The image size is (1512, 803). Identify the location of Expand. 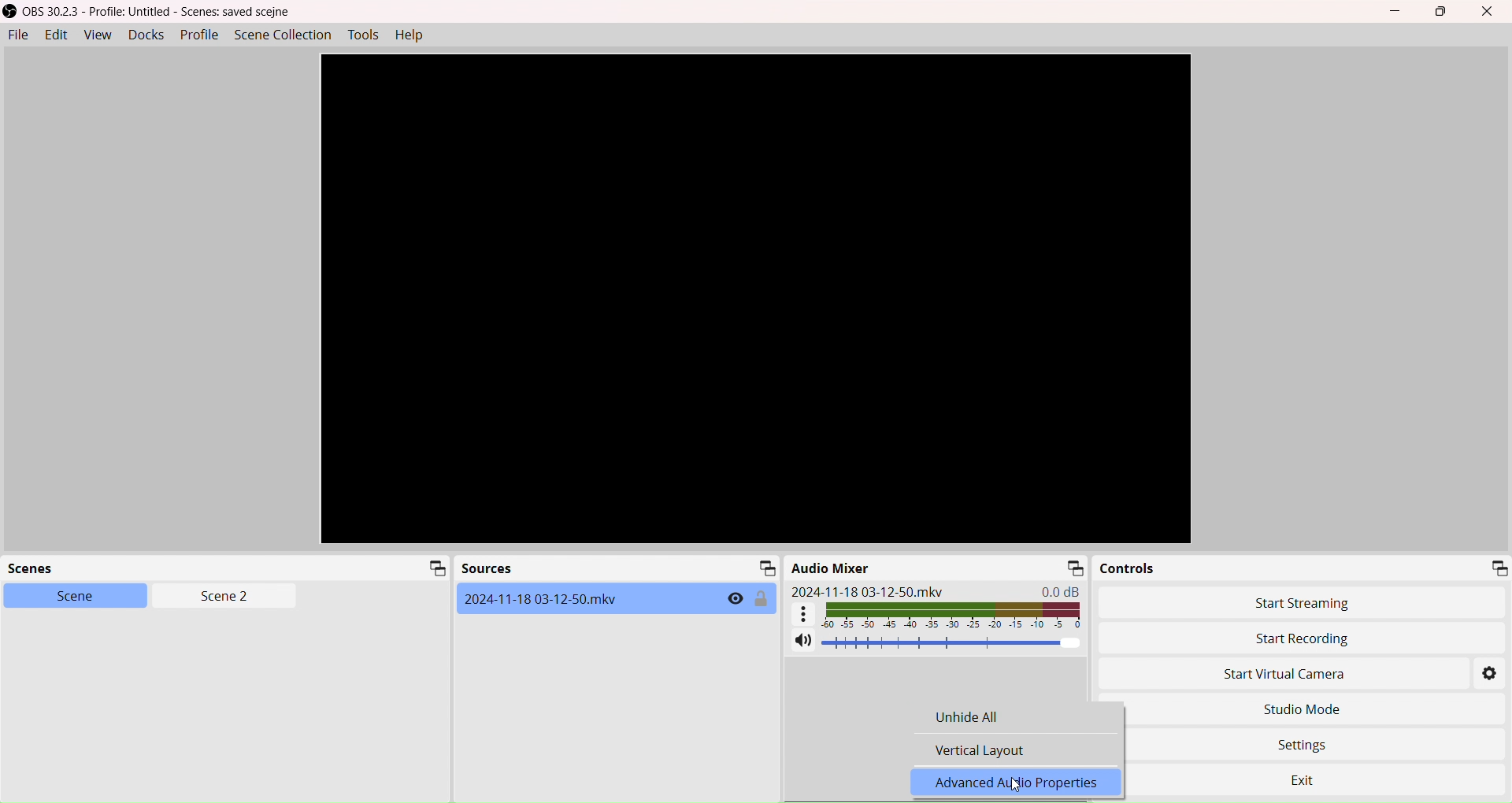
(764, 568).